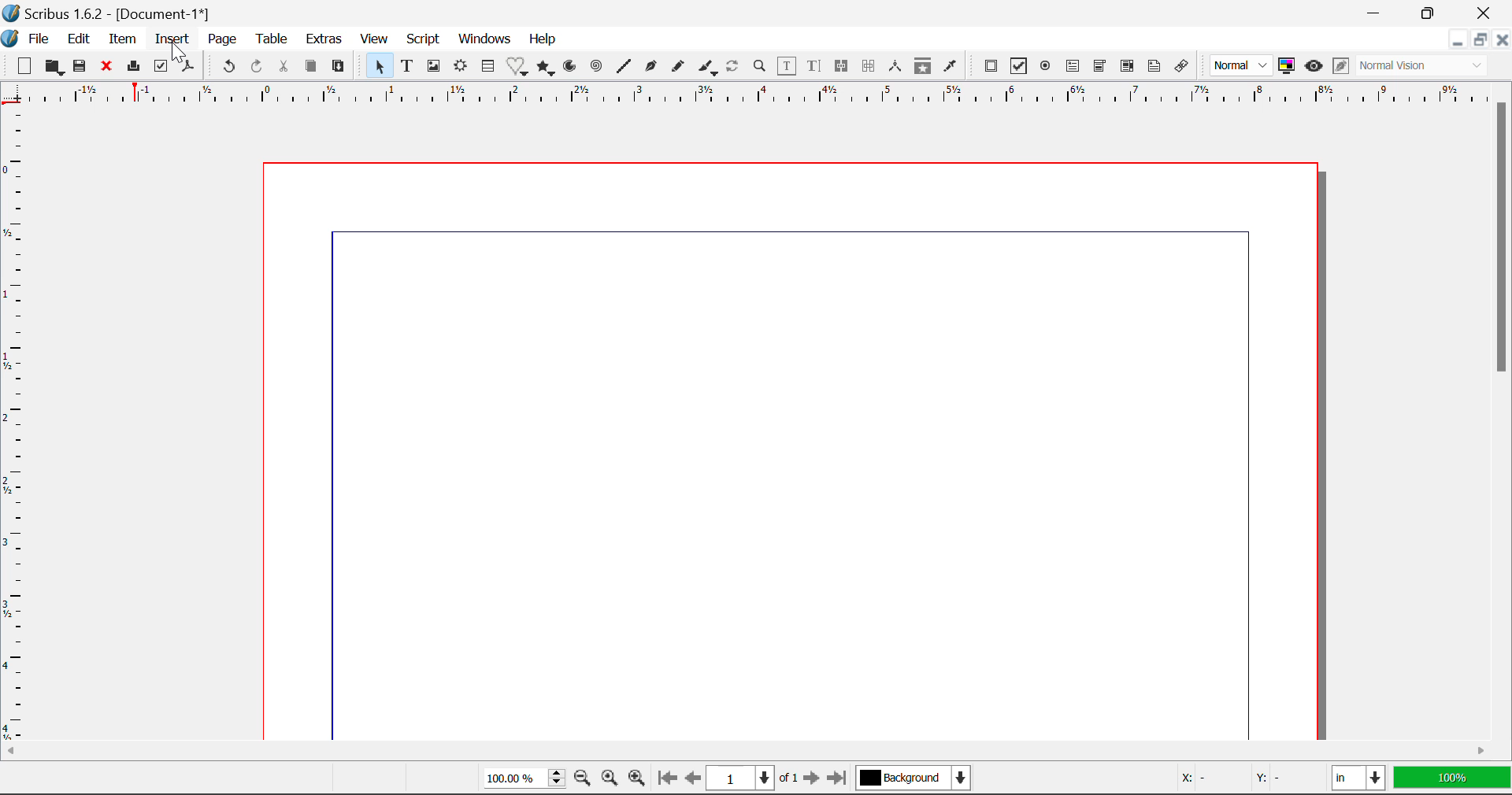  Describe the element at coordinates (788, 66) in the screenshot. I see `Edit Contents in Frame` at that location.